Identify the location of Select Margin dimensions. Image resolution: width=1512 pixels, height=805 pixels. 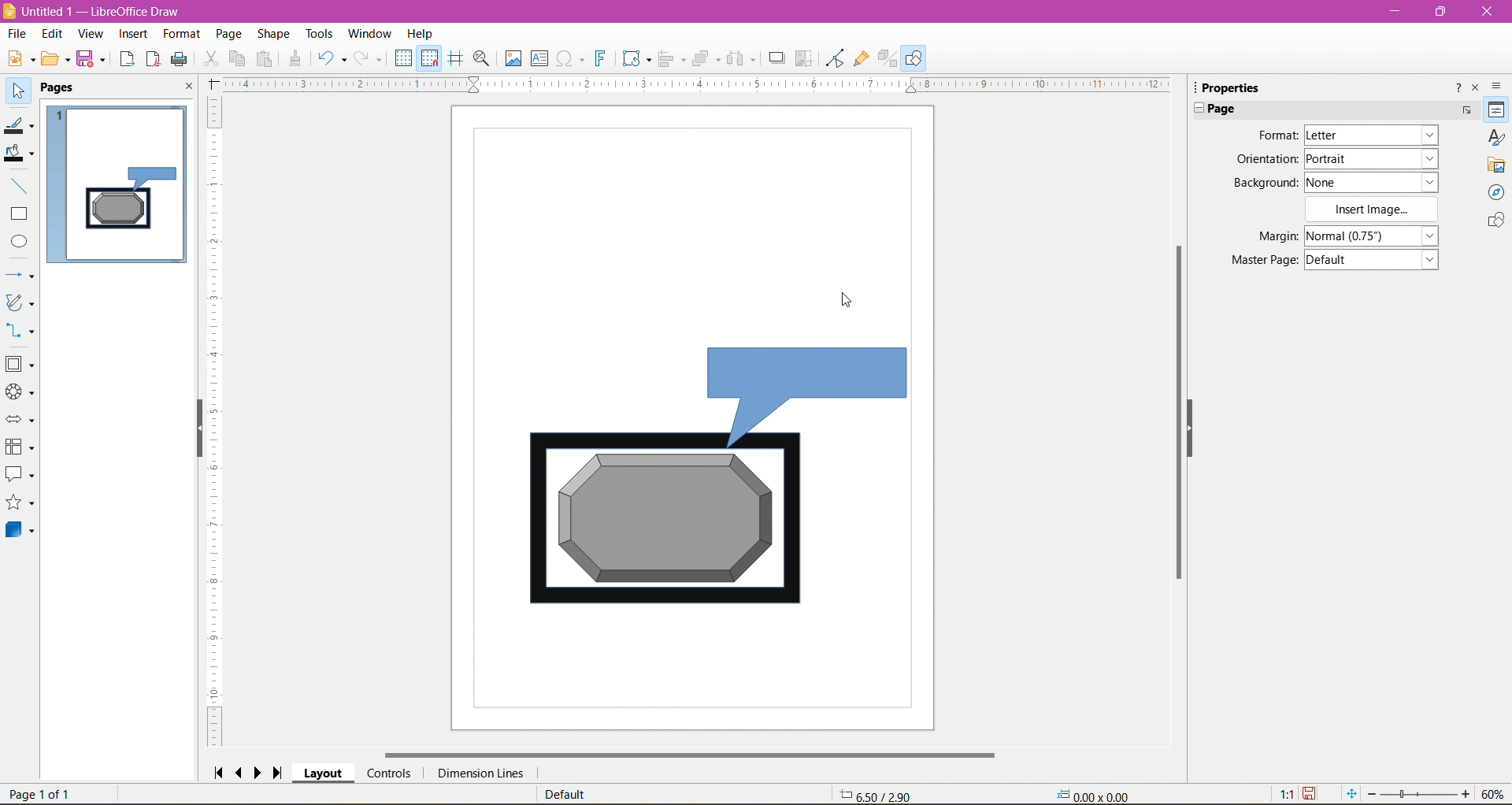
(1370, 236).